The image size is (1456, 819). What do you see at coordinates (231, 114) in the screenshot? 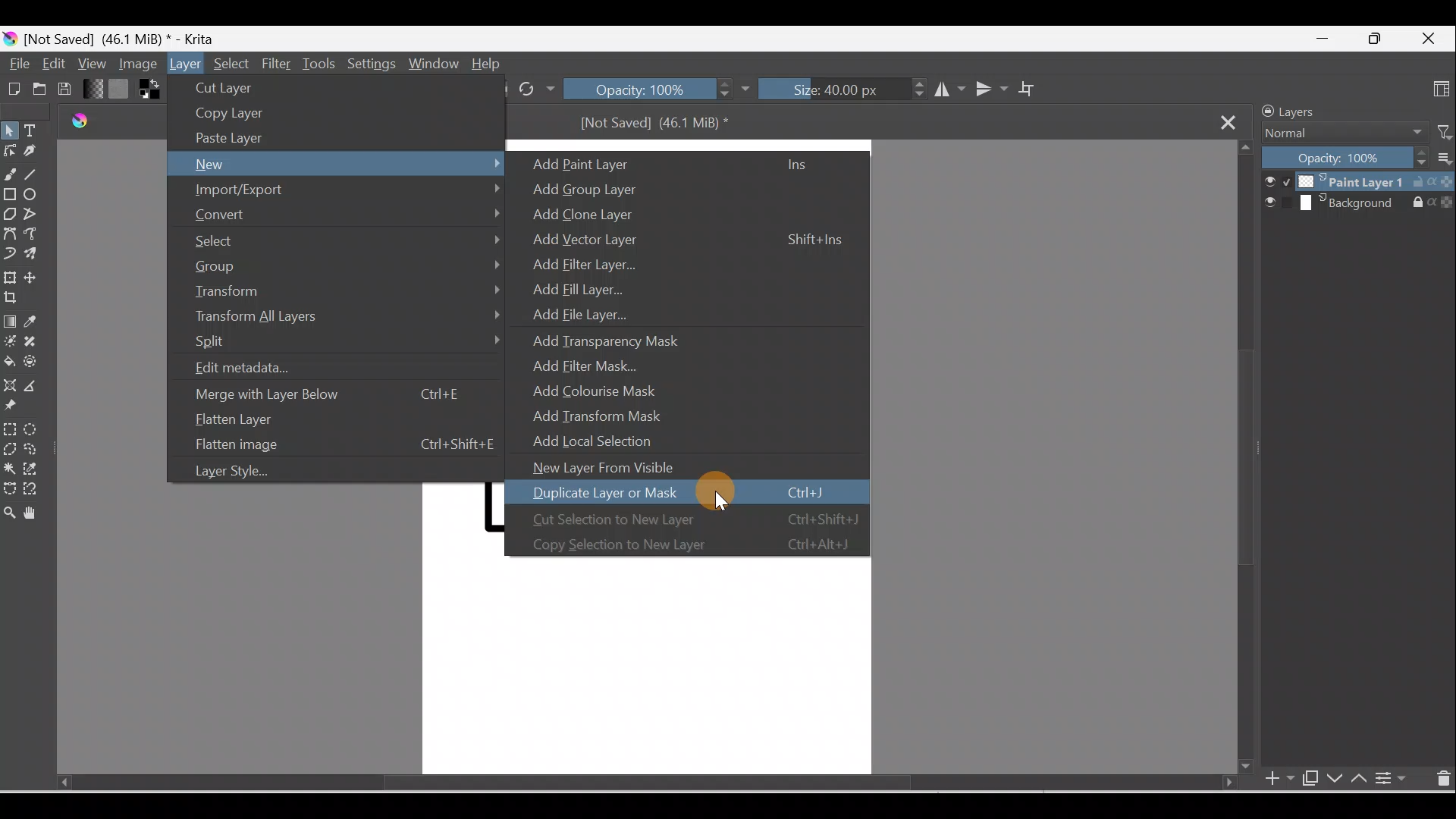
I see `Copy layer` at bounding box center [231, 114].